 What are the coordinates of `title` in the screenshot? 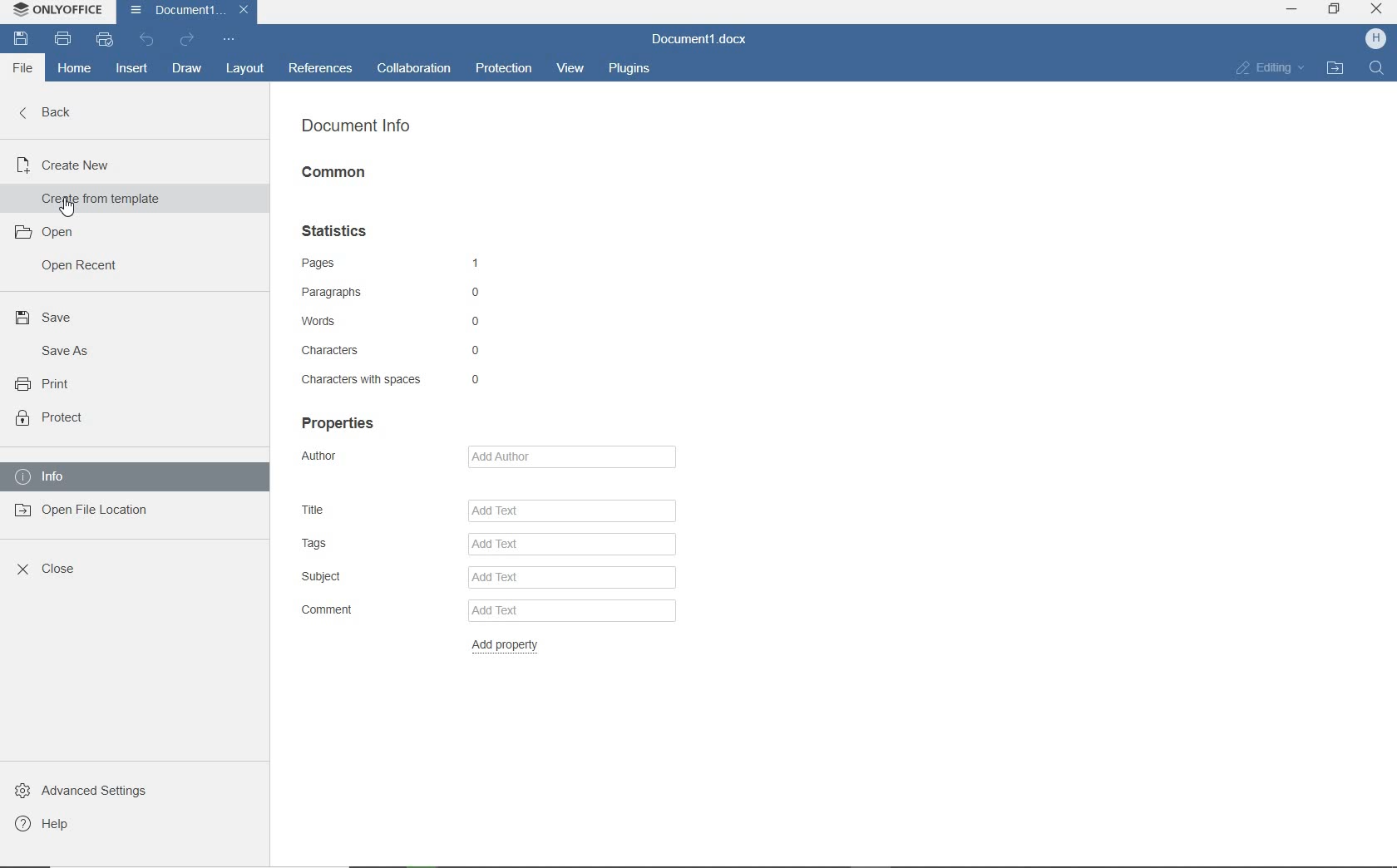 It's located at (488, 508).